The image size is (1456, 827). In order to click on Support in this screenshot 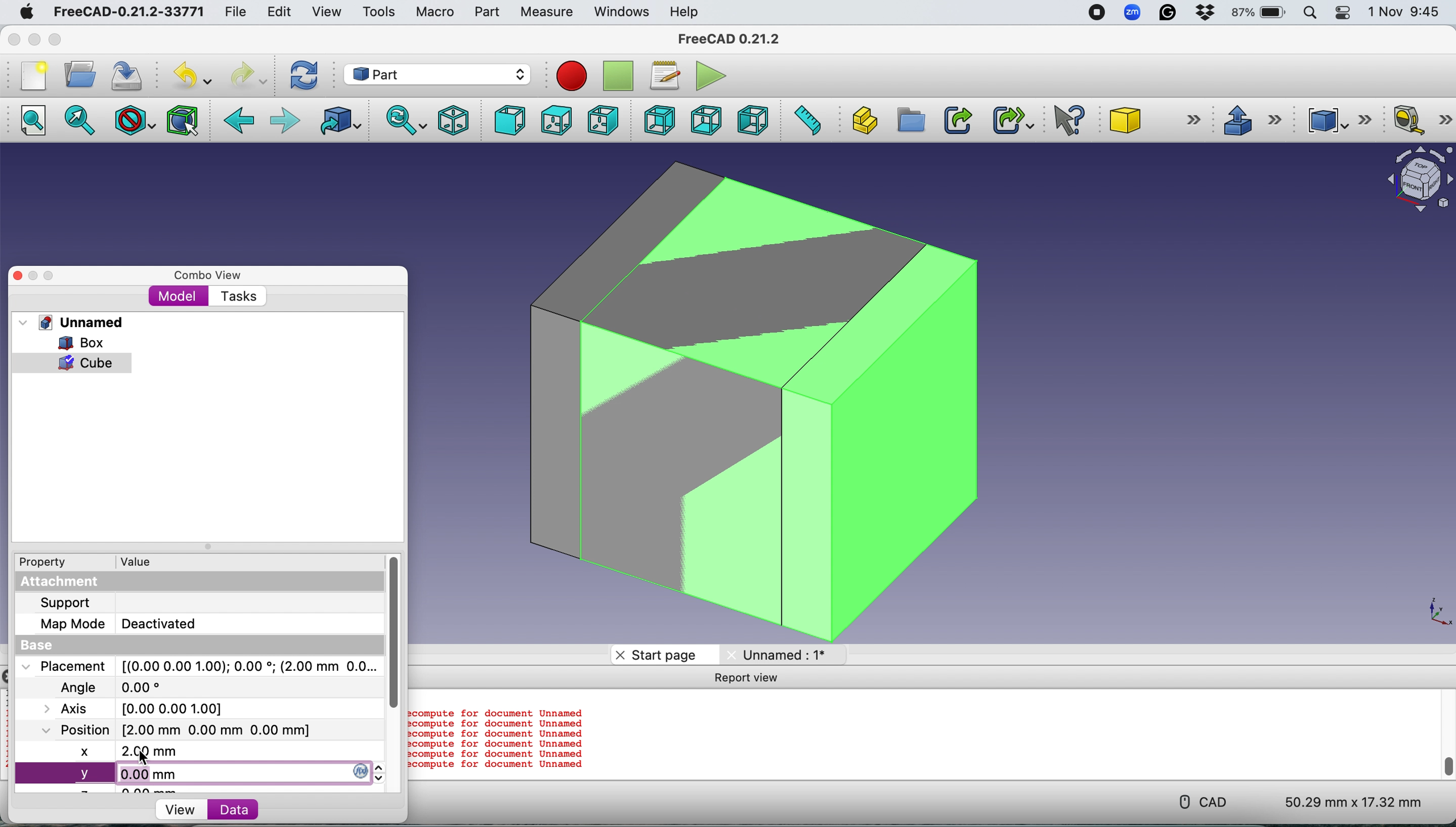, I will do `click(65, 602)`.